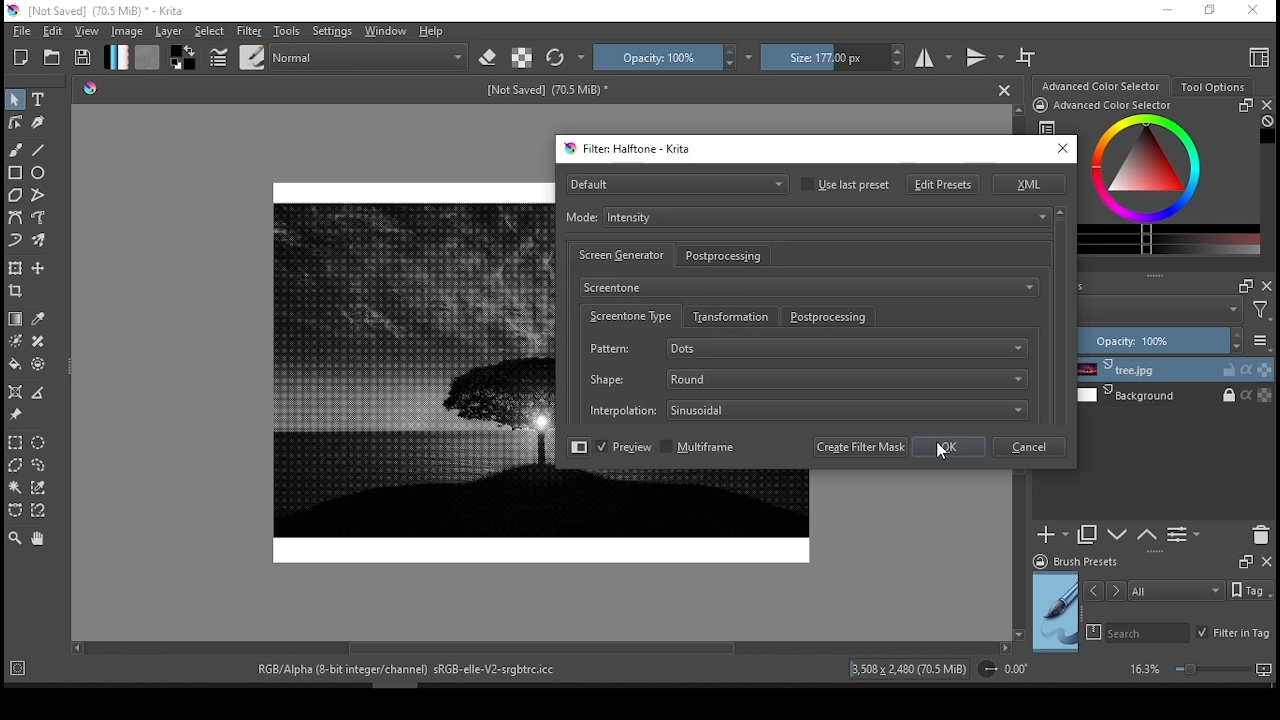  I want to click on close docker, so click(1267, 103).